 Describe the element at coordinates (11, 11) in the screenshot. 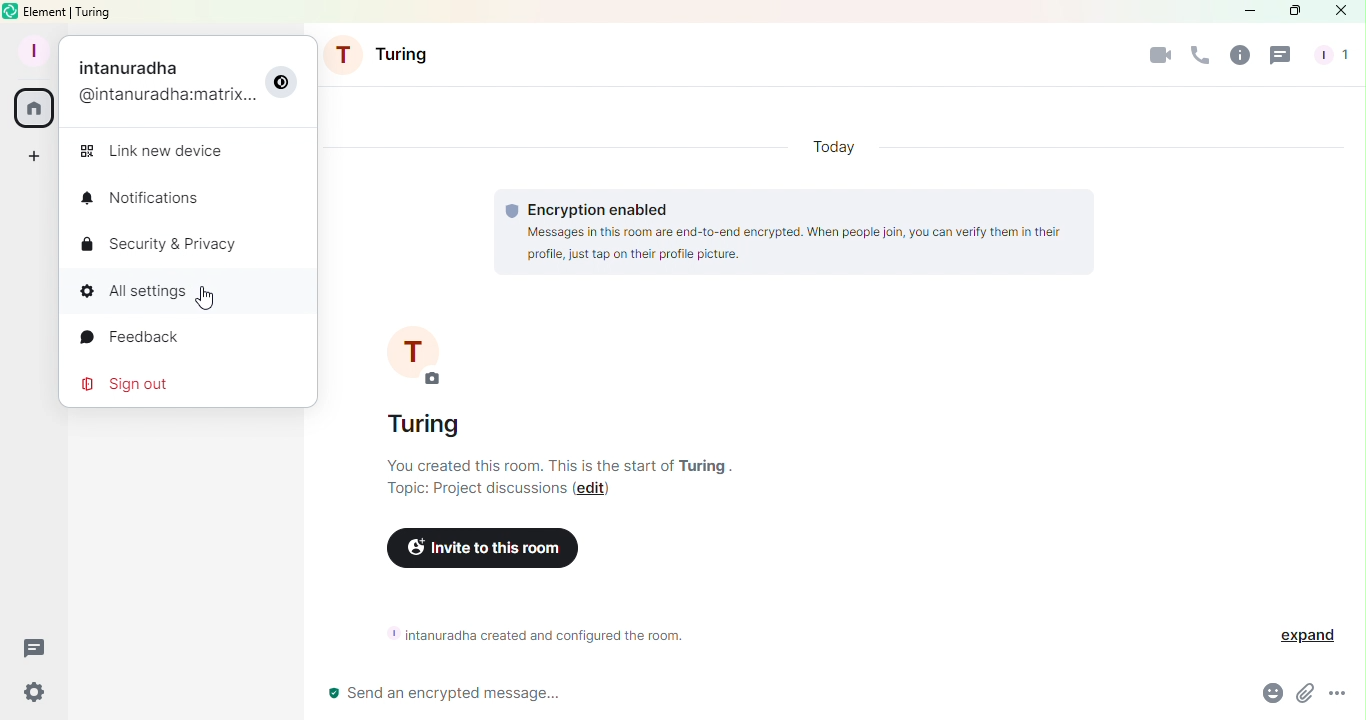

I see `Element icon` at that location.